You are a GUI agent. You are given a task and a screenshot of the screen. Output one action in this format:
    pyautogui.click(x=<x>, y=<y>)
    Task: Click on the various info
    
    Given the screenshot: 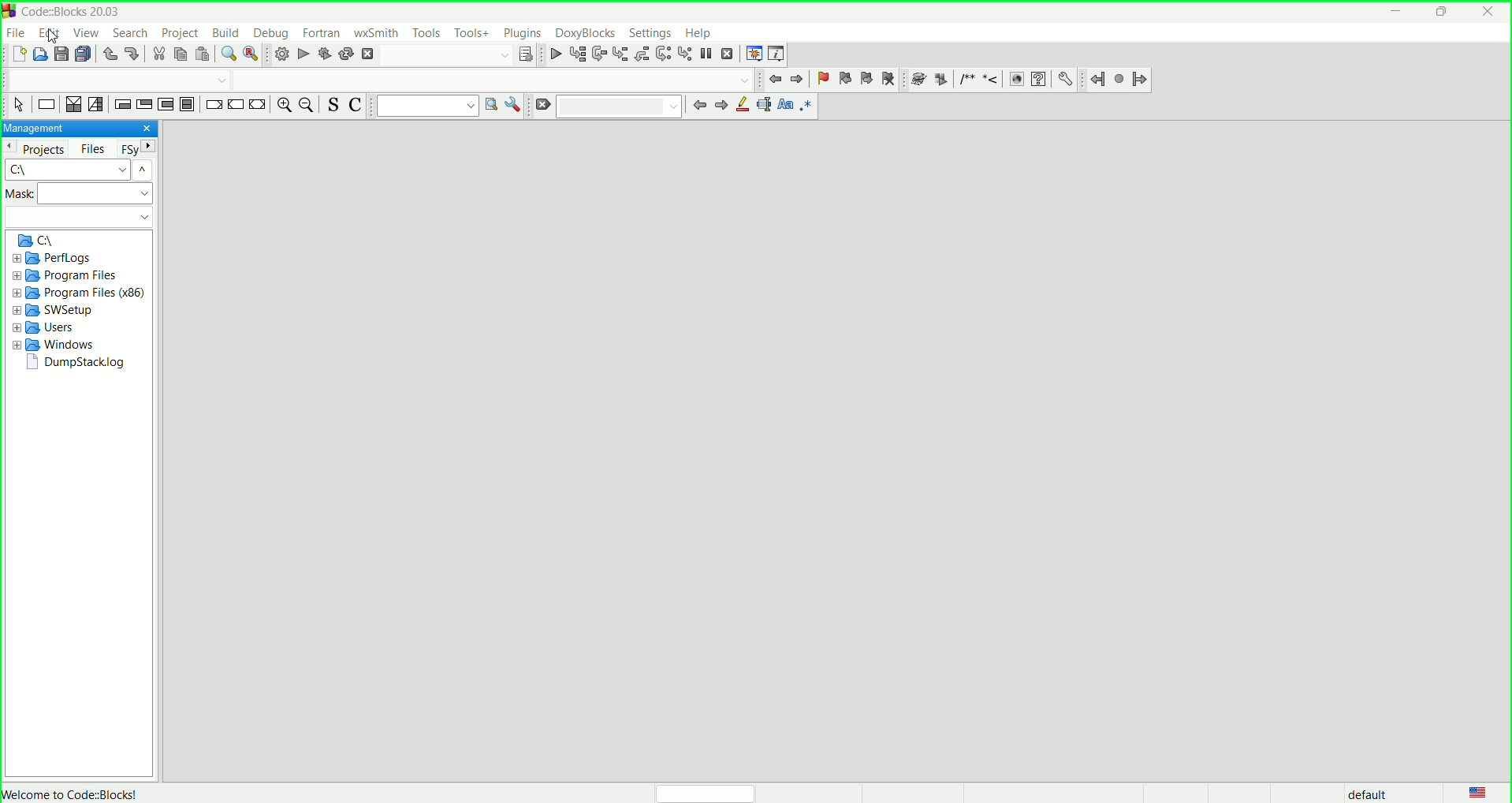 What is the action you would take?
    pyautogui.click(x=780, y=54)
    